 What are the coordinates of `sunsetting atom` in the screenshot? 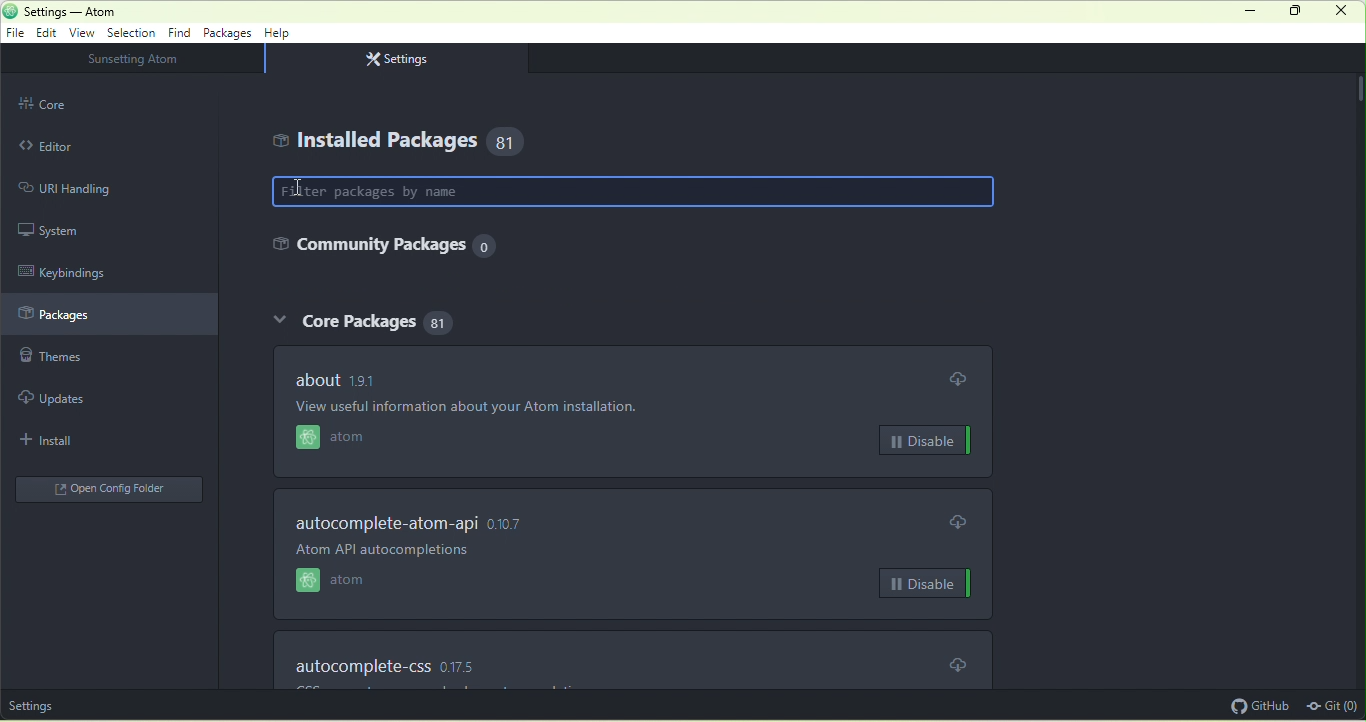 It's located at (149, 60).